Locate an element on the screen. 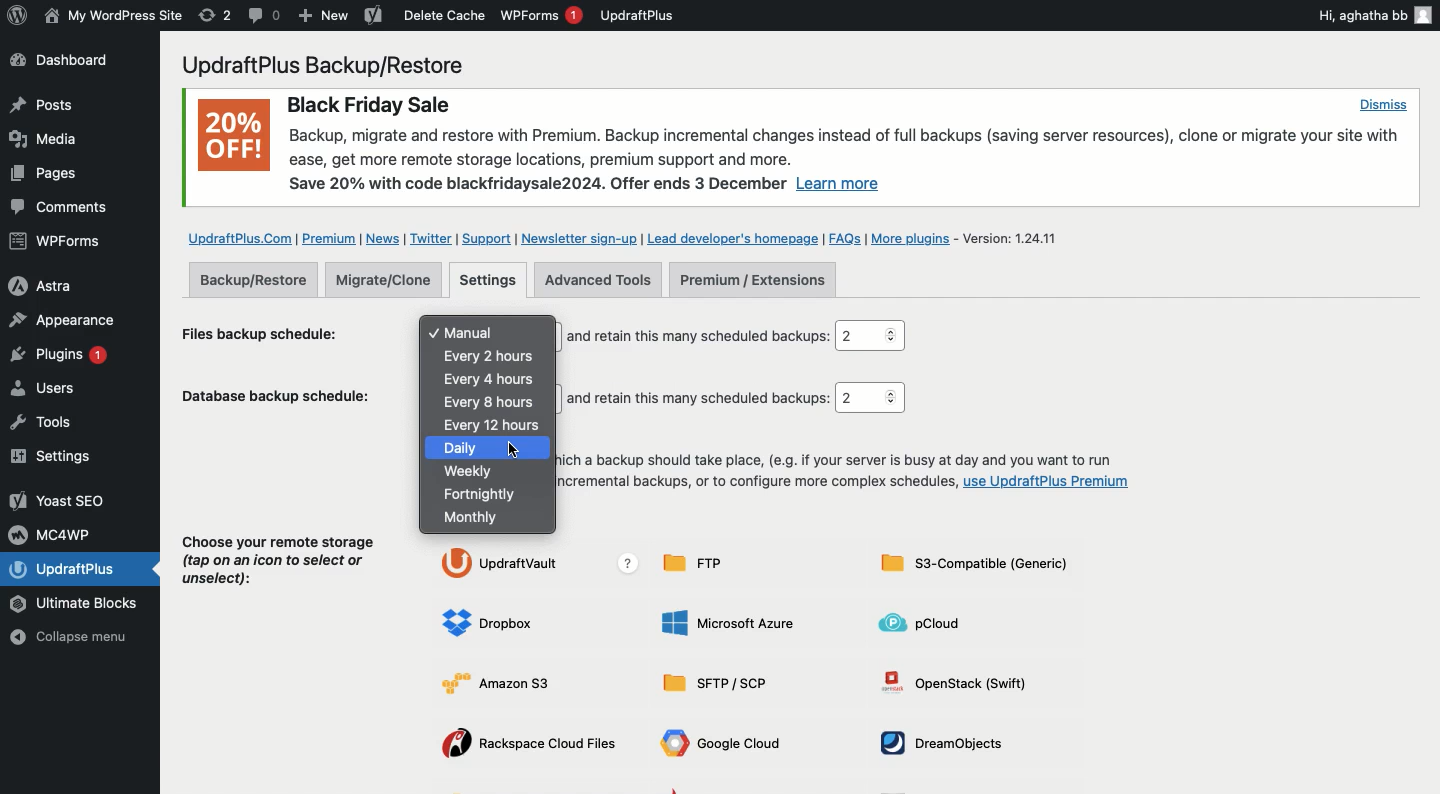 The image size is (1440, 794). Comments is located at coordinates (62, 208).